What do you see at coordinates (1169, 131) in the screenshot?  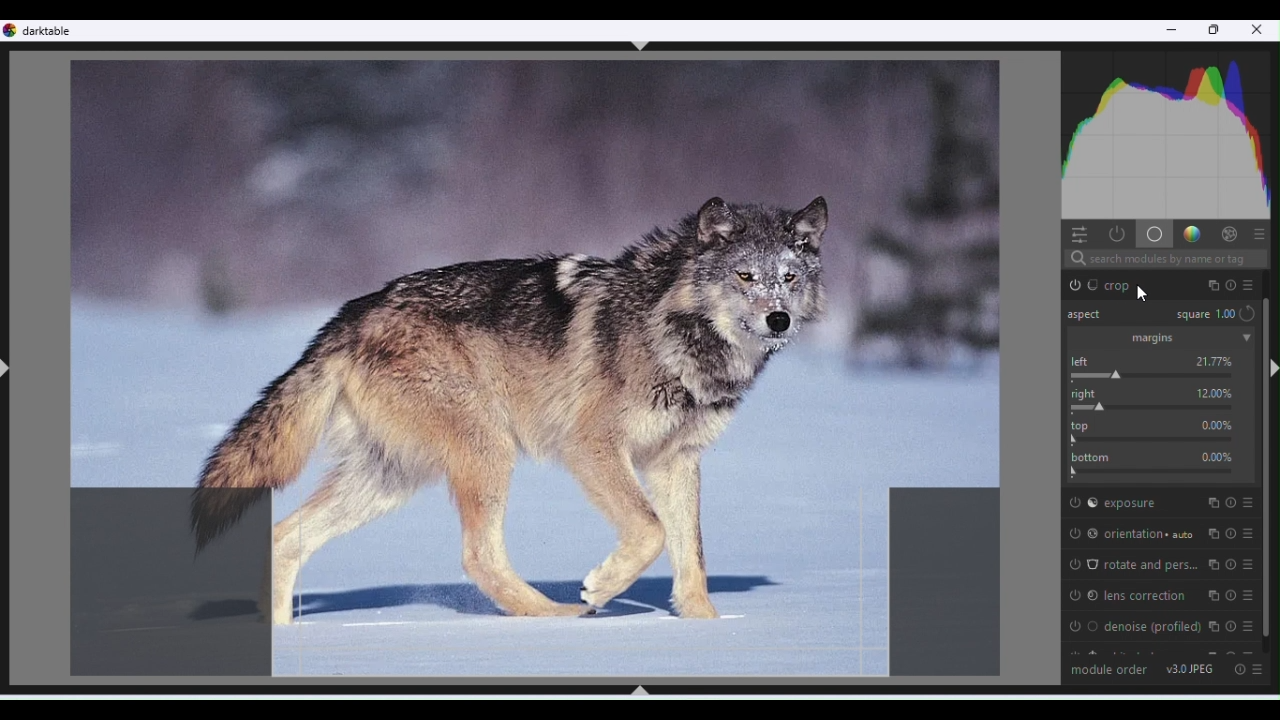 I see `Histogram` at bounding box center [1169, 131].